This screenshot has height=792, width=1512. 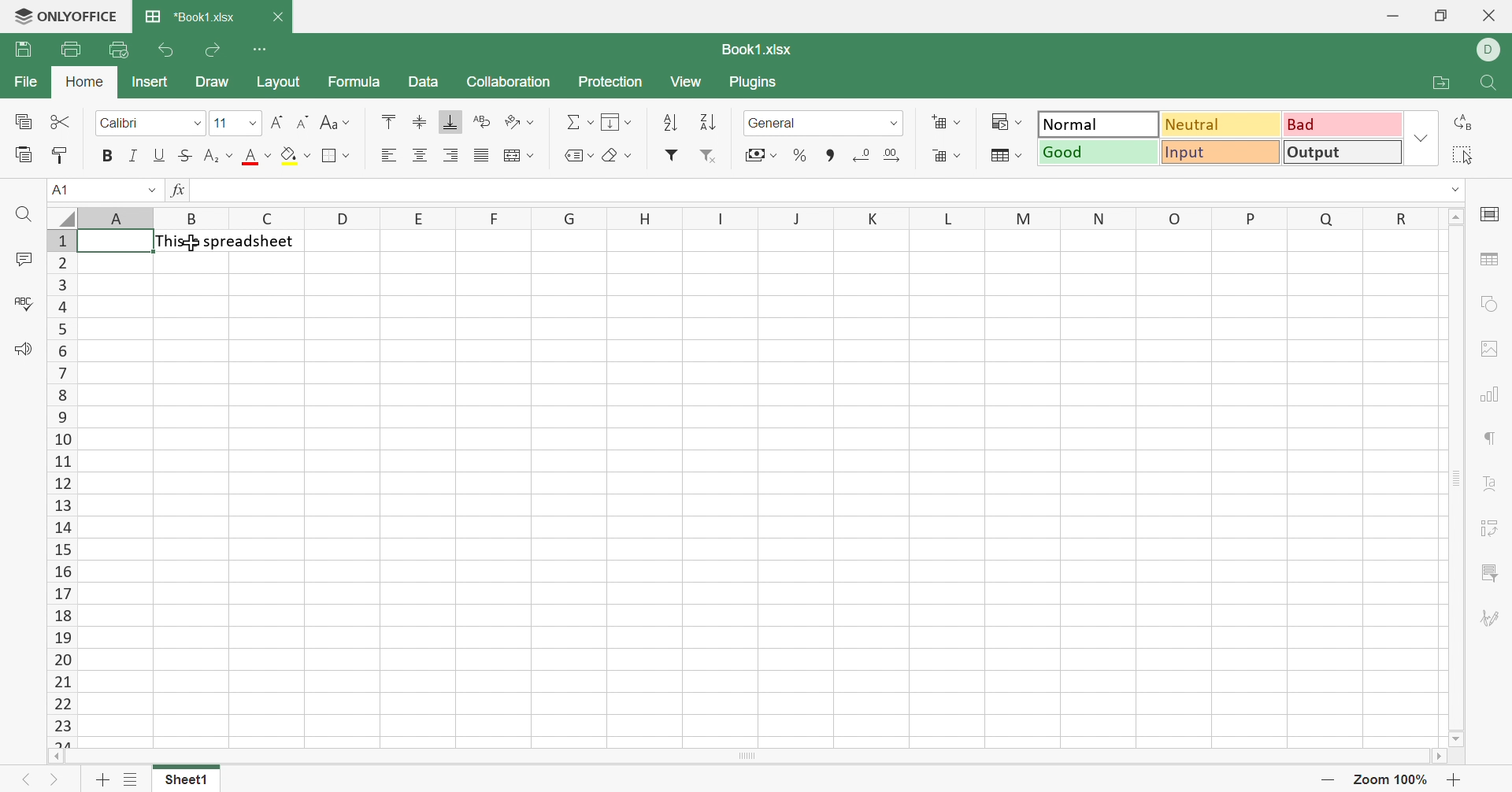 What do you see at coordinates (56, 756) in the screenshot?
I see `Scroll Left` at bounding box center [56, 756].